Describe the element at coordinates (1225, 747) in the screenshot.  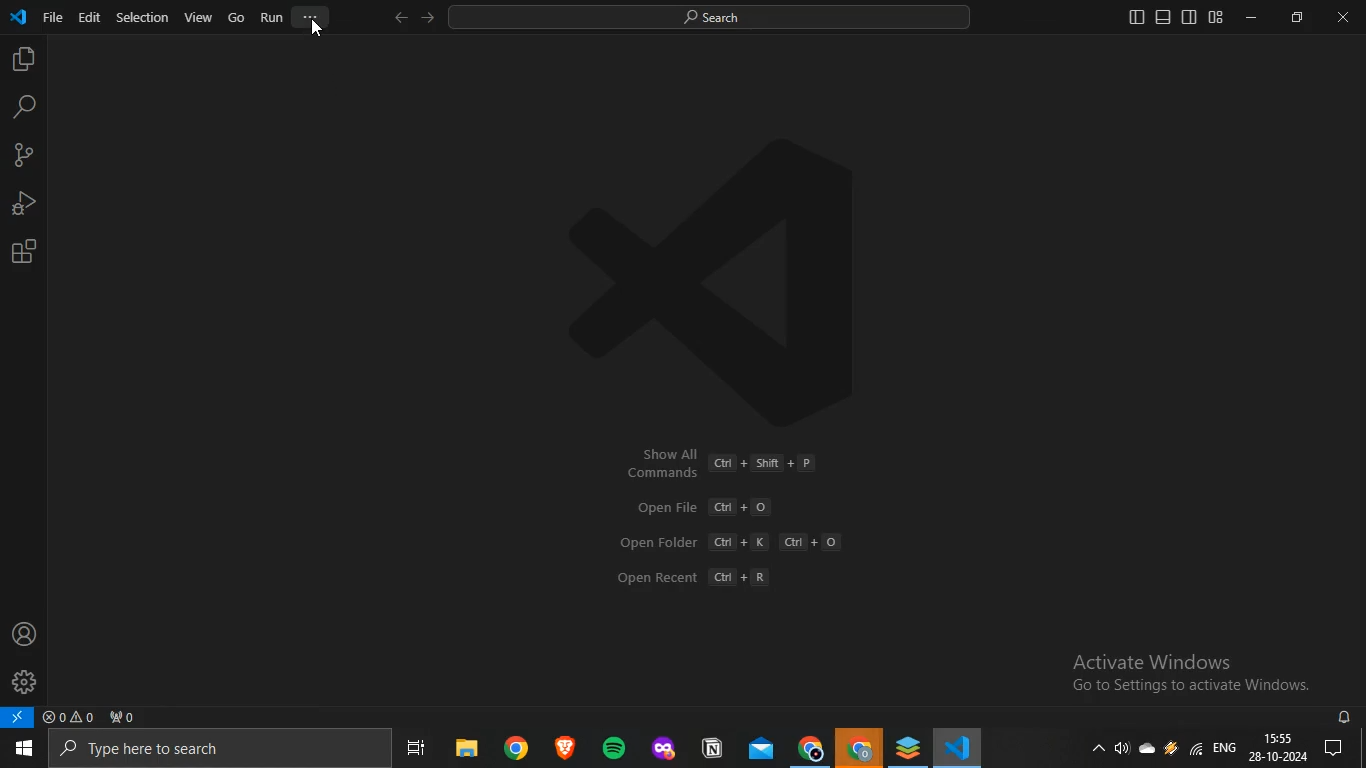
I see `english` at that location.